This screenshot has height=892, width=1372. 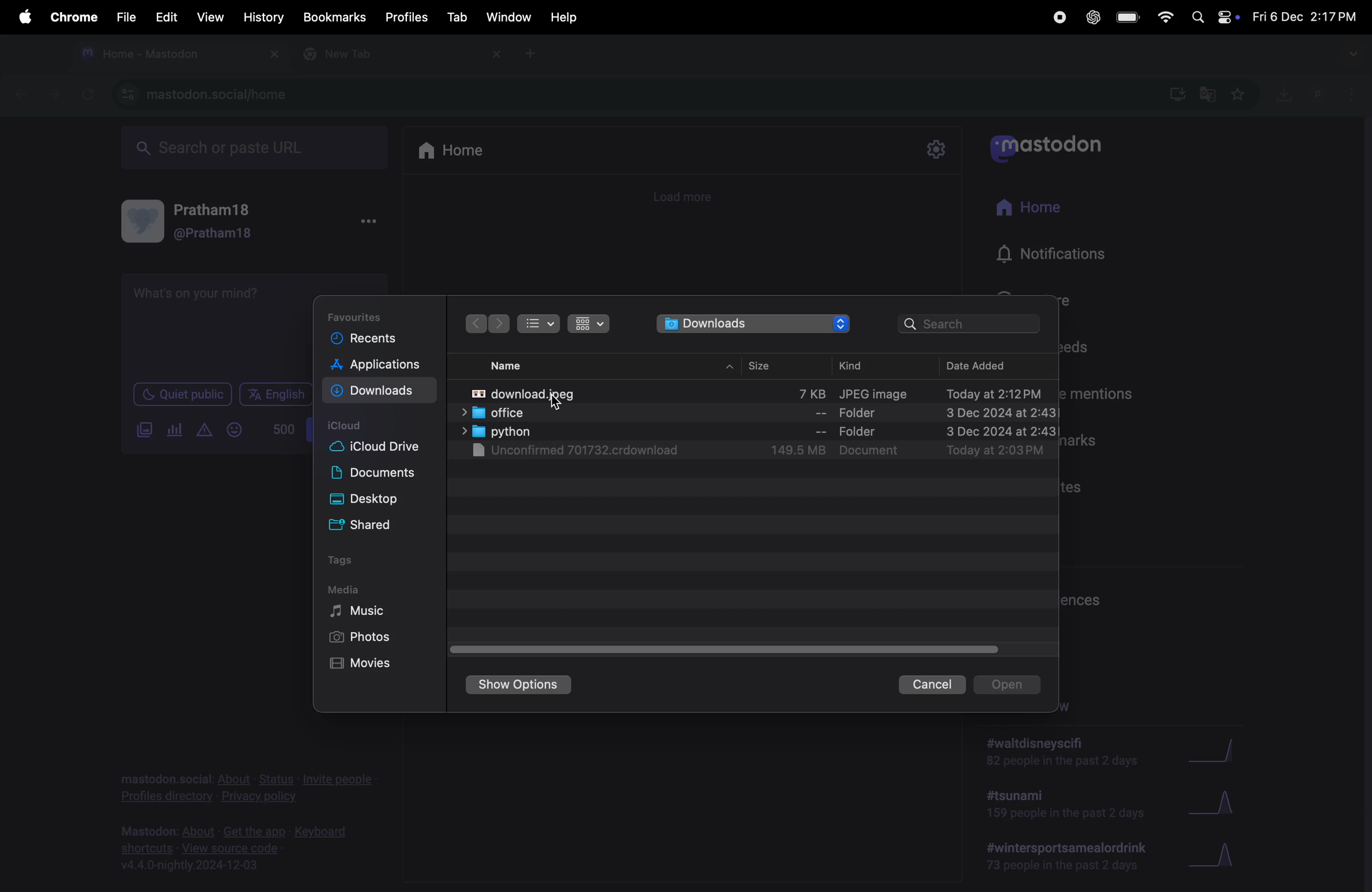 I want to click on user profile, so click(x=205, y=222).